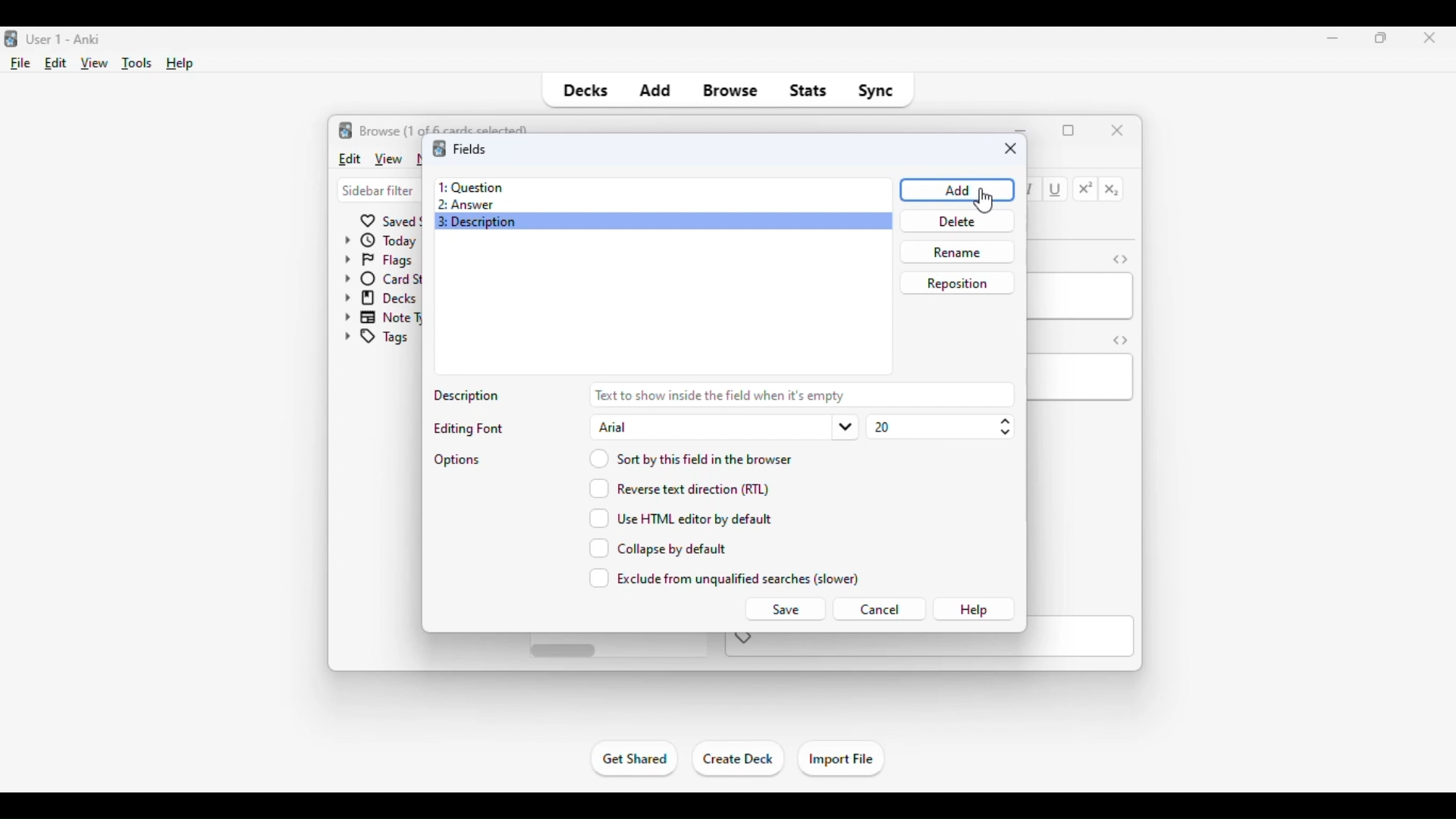 This screenshot has height=819, width=1456. What do you see at coordinates (940, 427) in the screenshot?
I see `20` at bounding box center [940, 427].